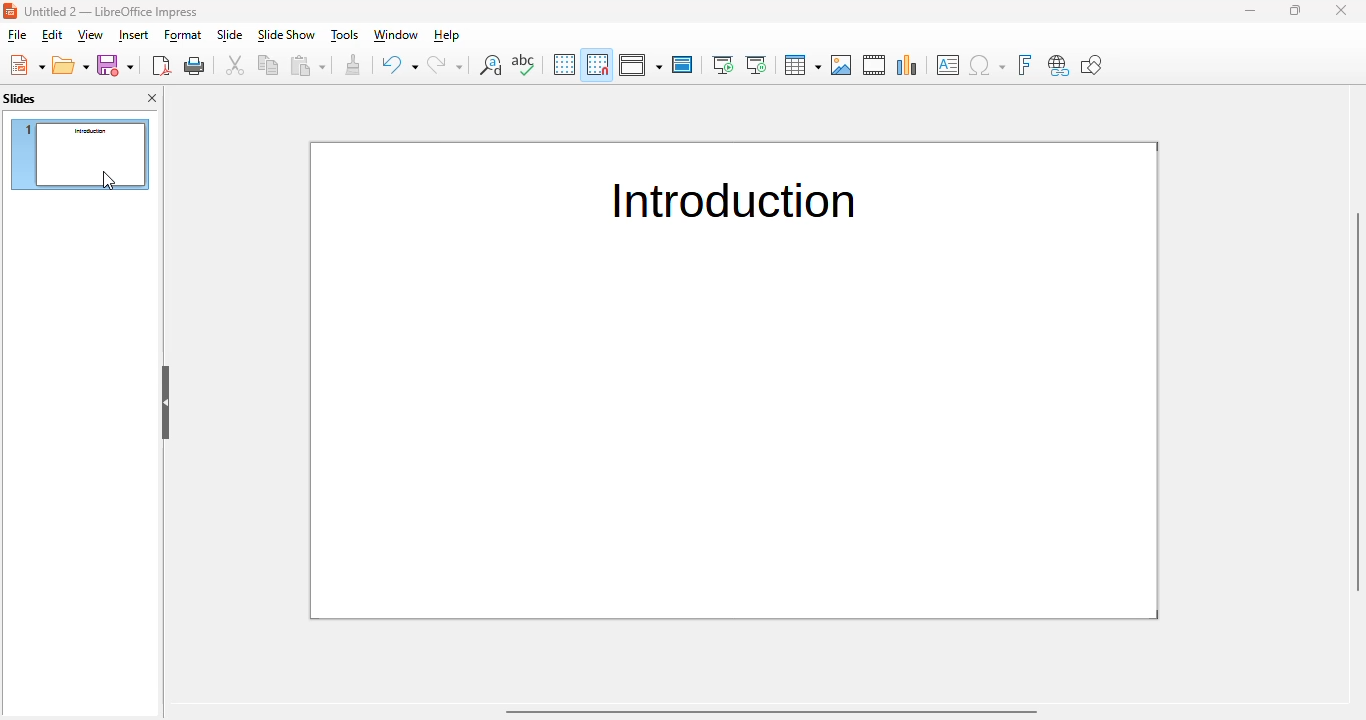 Image resolution: width=1366 pixels, height=720 pixels. I want to click on open, so click(71, 65).